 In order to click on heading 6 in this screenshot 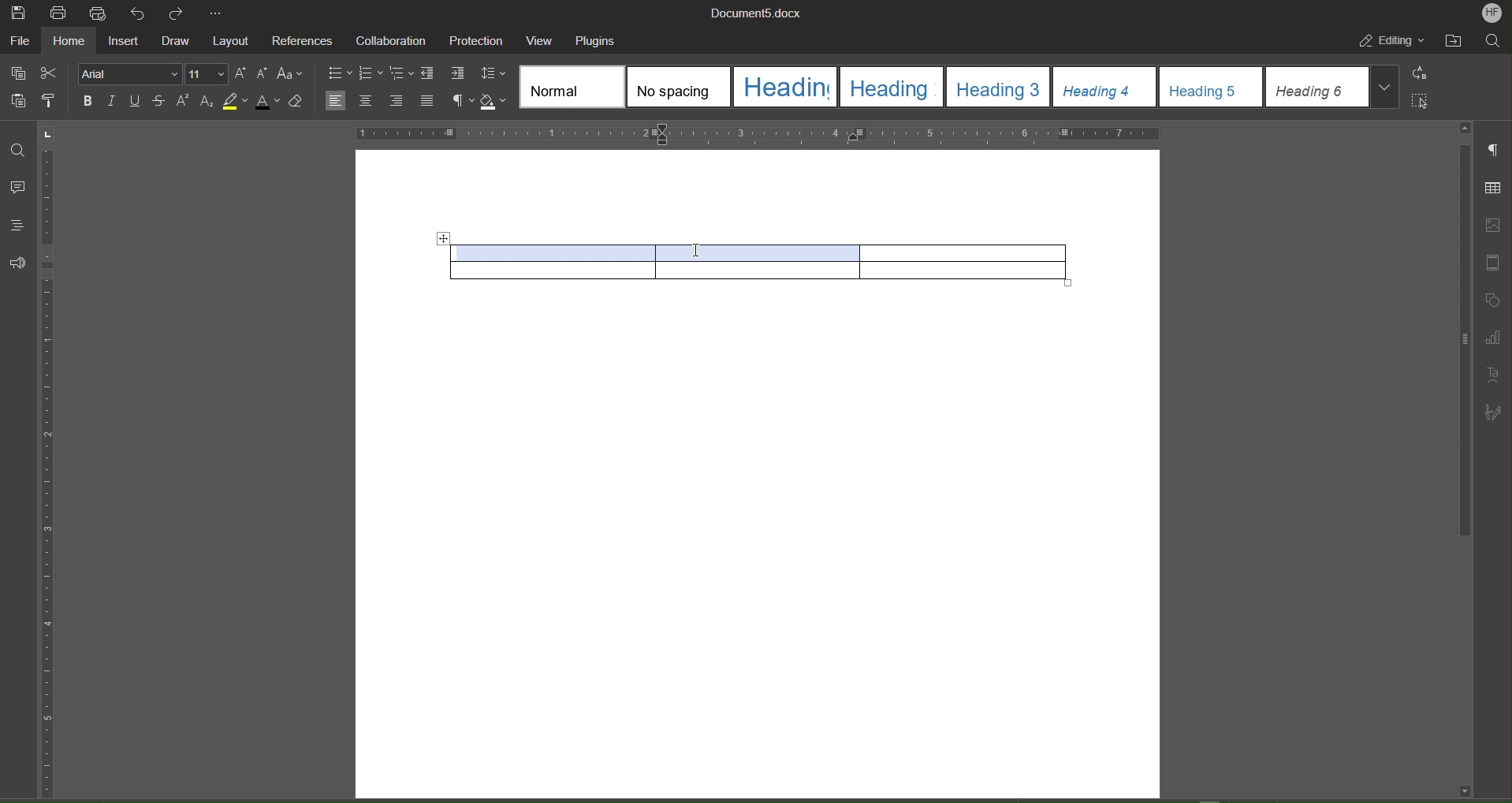, I will do `click(1317, 87)`.